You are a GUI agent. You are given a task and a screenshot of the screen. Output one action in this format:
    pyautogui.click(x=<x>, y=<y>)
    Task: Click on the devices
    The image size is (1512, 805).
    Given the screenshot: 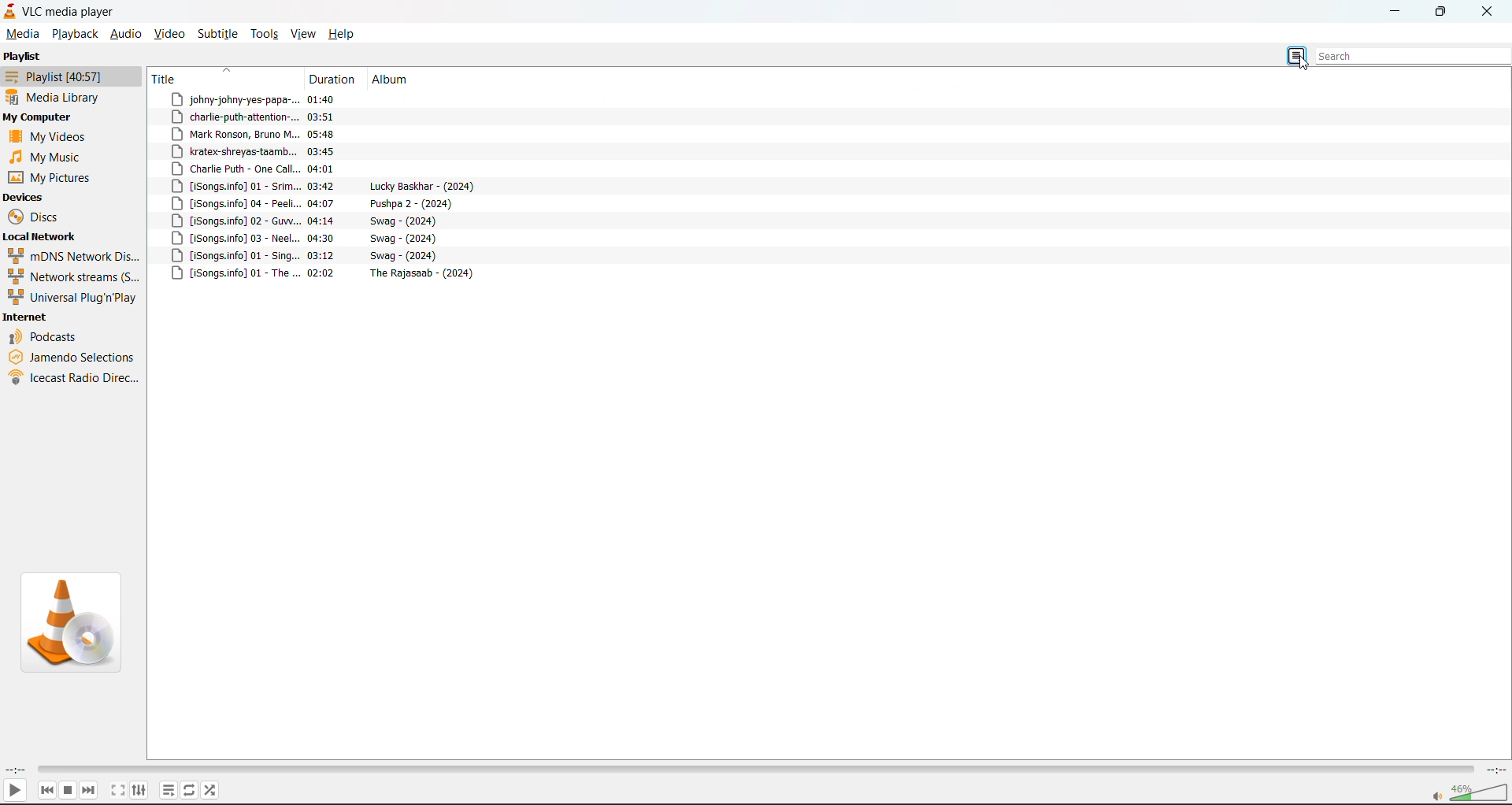 What is the action you would take?
    pyautogui.click(x=24, y=198)
    